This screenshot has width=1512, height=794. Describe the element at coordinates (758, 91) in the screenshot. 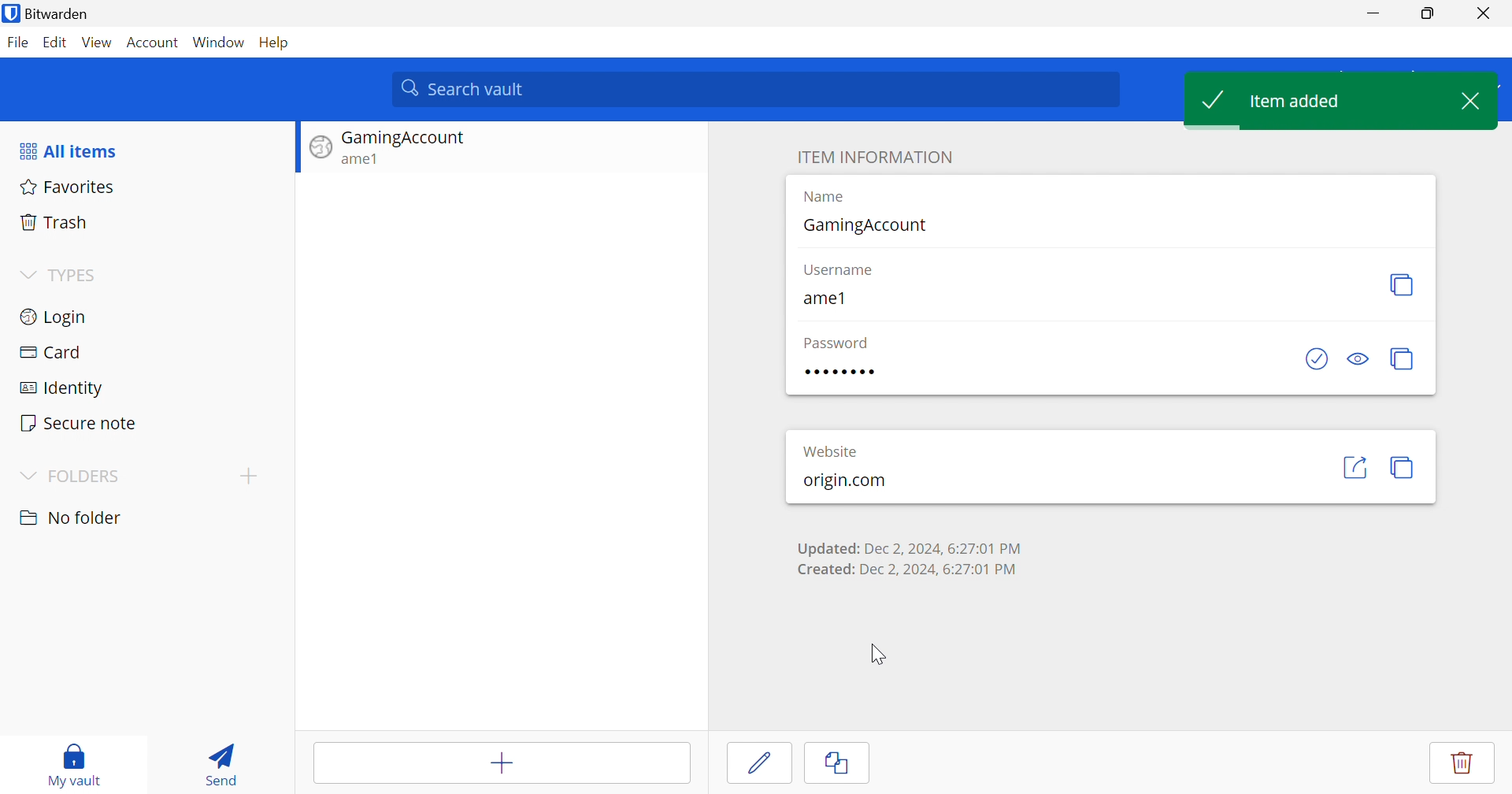

I see `search vault` at that location.